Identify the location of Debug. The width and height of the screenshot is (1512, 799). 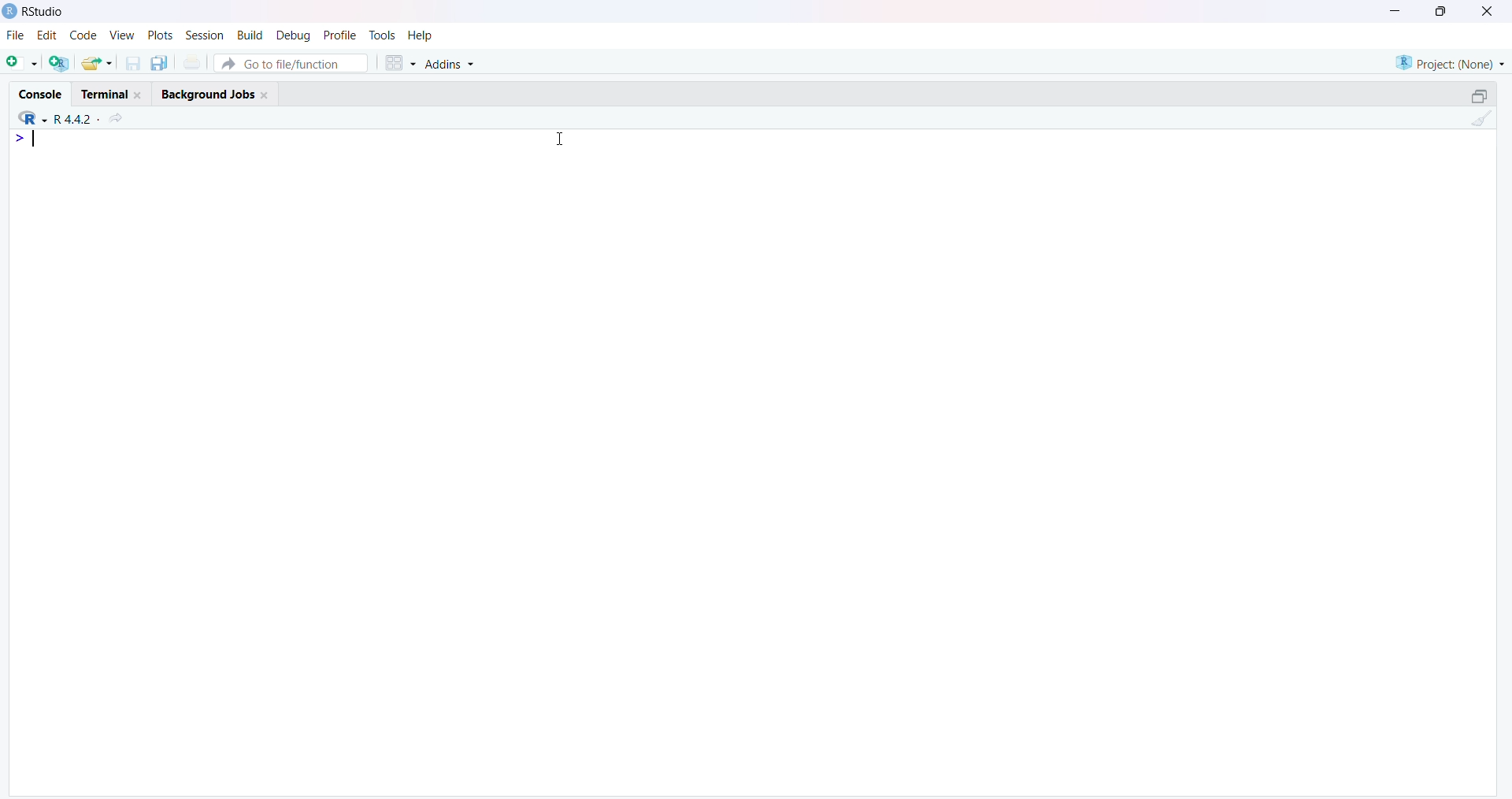
(292, 36).